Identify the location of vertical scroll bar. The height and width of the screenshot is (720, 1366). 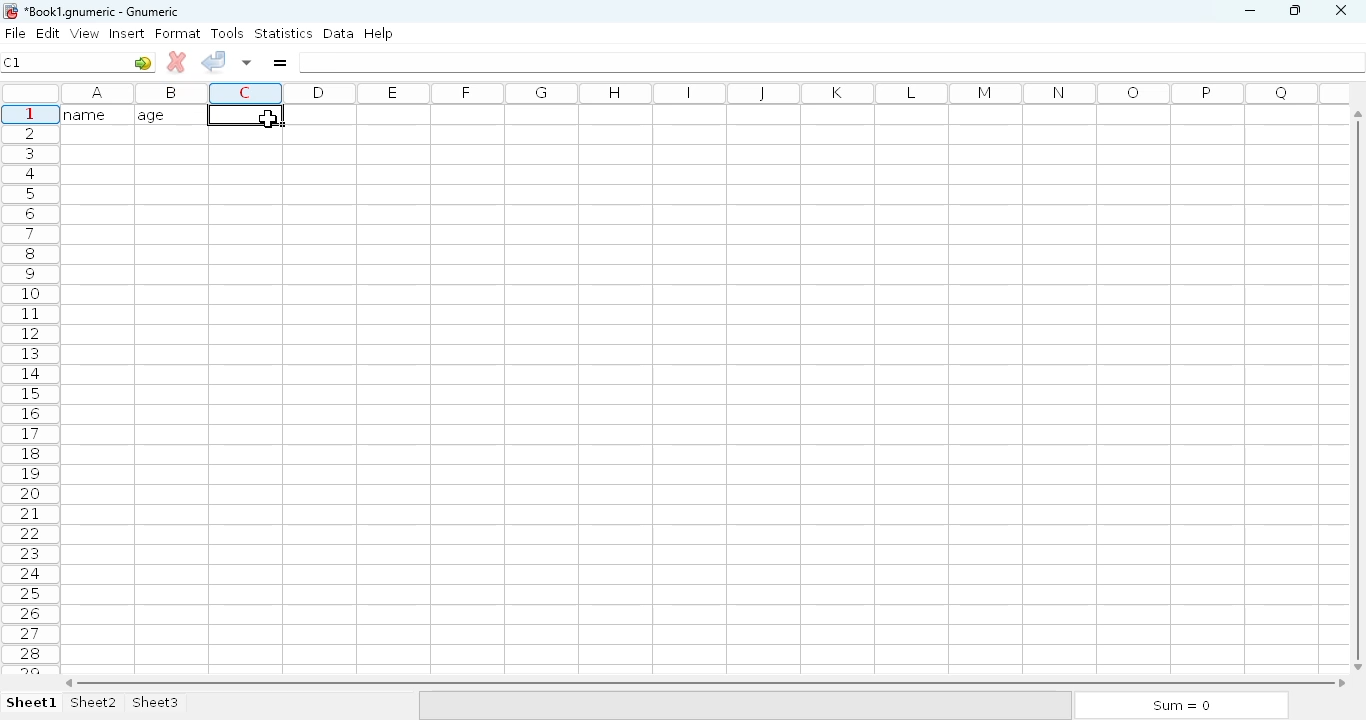
(1361, 389).